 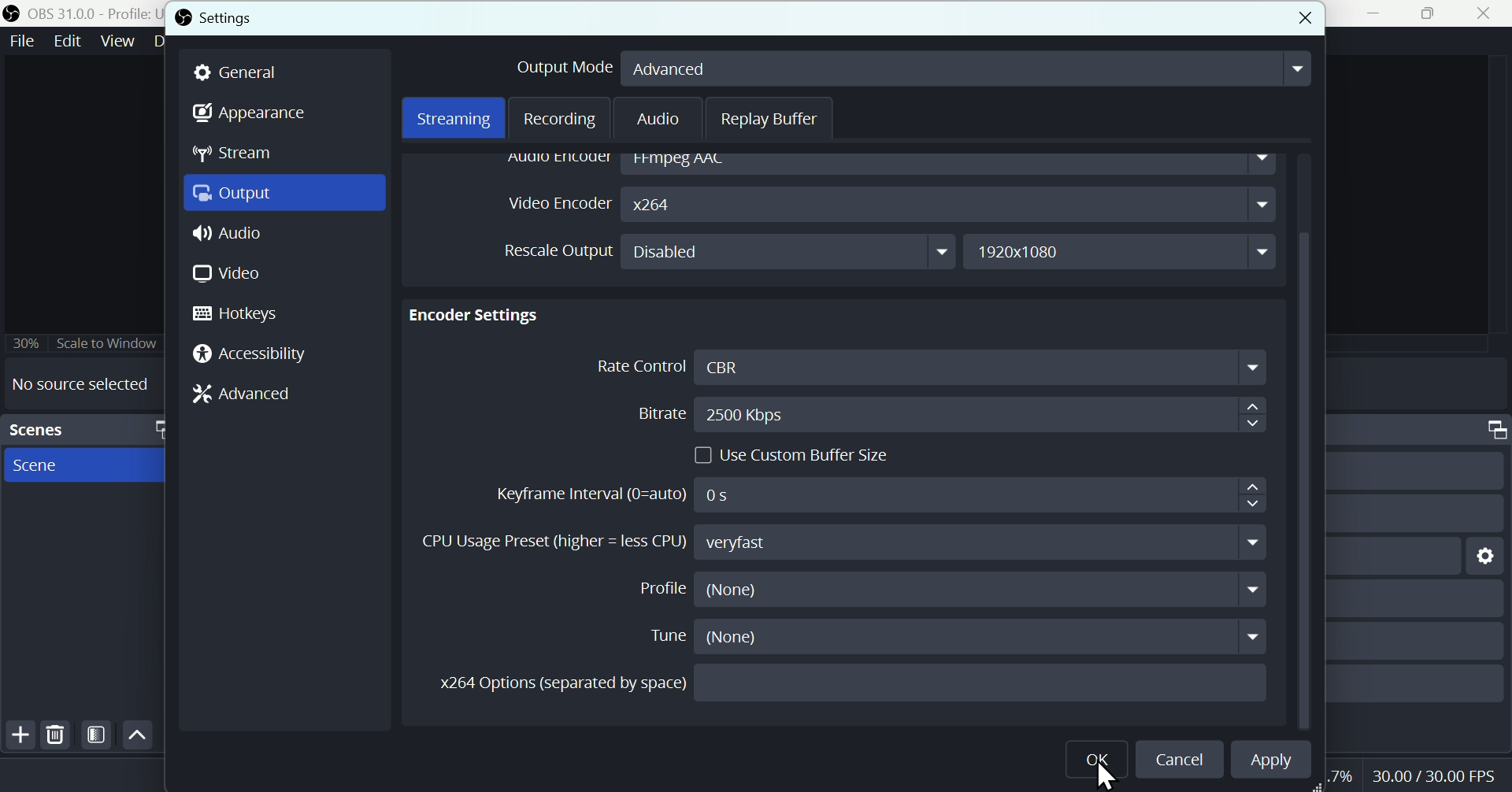 What do you see at coordinates (1490, 430) in the screenshot?
I see `` at bounding box center [1490, 430].